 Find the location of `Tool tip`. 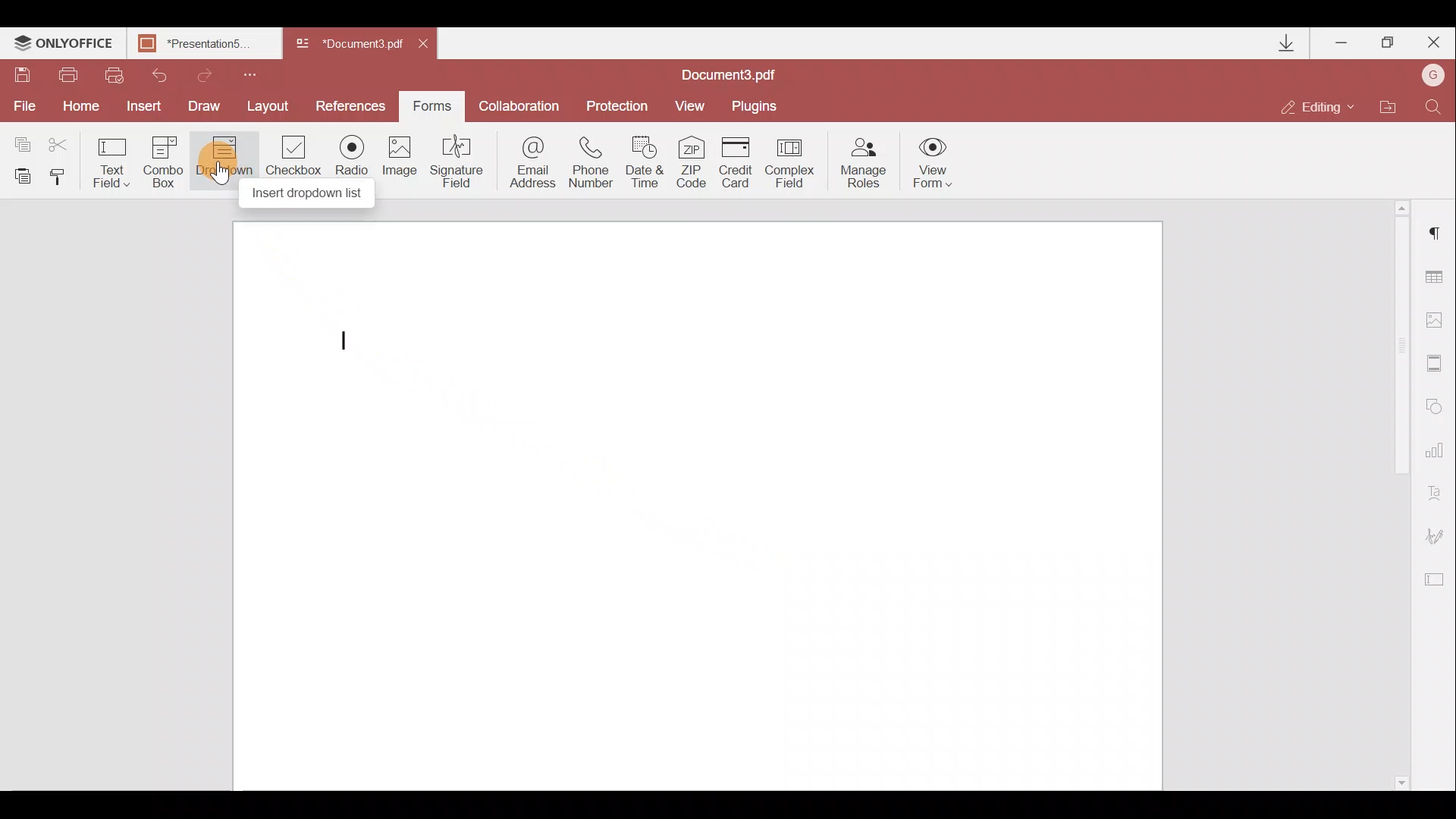

Tool tip is located at coordinates (314, 196).